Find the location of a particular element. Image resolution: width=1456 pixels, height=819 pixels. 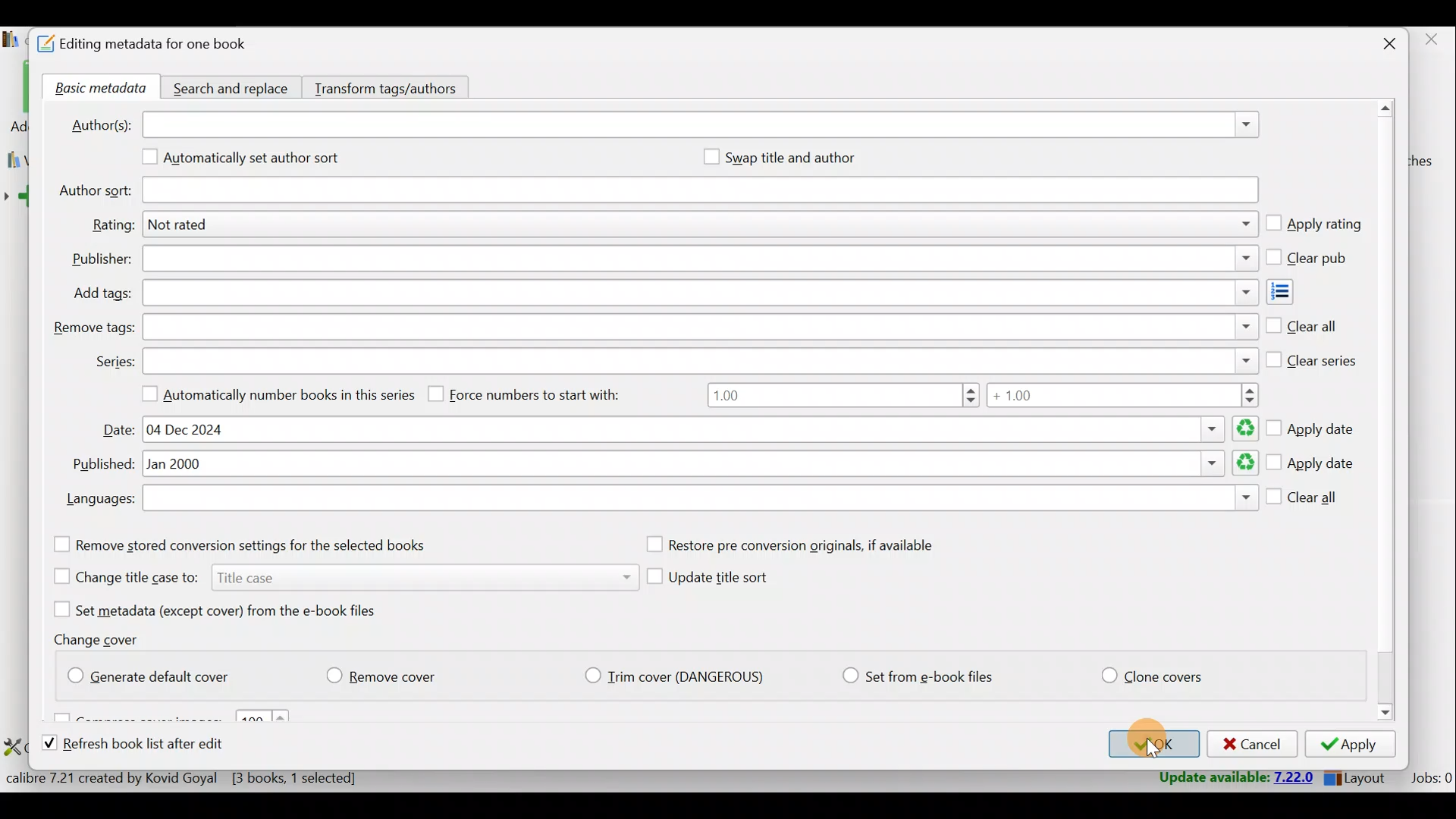

Close is located at coordinates (1382, 45).